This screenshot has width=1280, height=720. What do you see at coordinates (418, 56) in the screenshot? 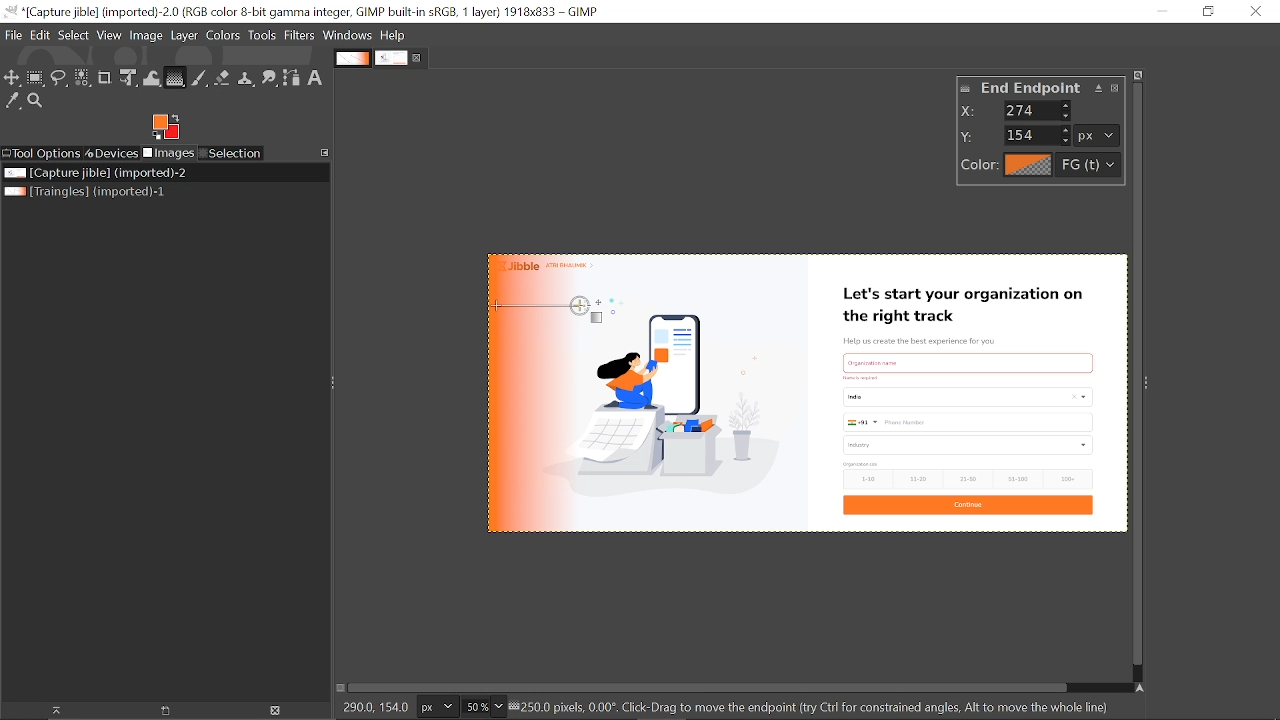
I see `Close current tab` at bounding box center [418, 56].